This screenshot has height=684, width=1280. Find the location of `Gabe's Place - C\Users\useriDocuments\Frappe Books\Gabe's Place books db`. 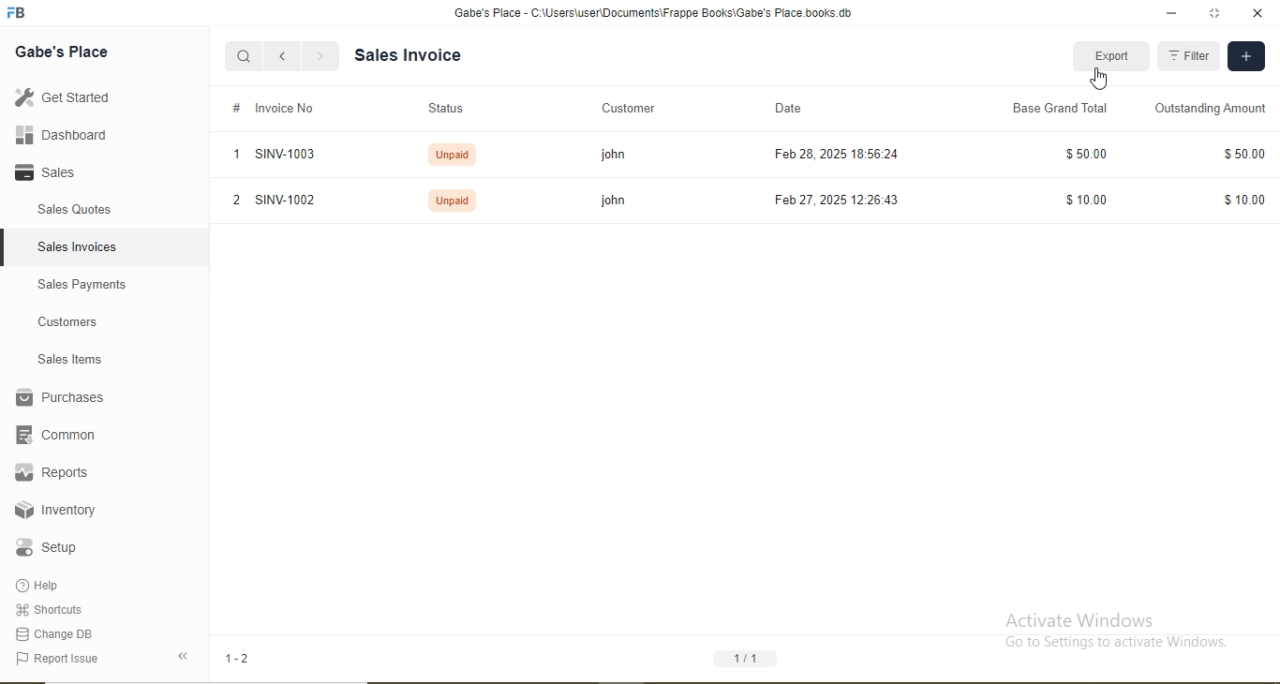

Gabe's Place - C\Users\useriDocuments\Frappe Books\Gabe's Place books db is located at coordinates (649, 13).